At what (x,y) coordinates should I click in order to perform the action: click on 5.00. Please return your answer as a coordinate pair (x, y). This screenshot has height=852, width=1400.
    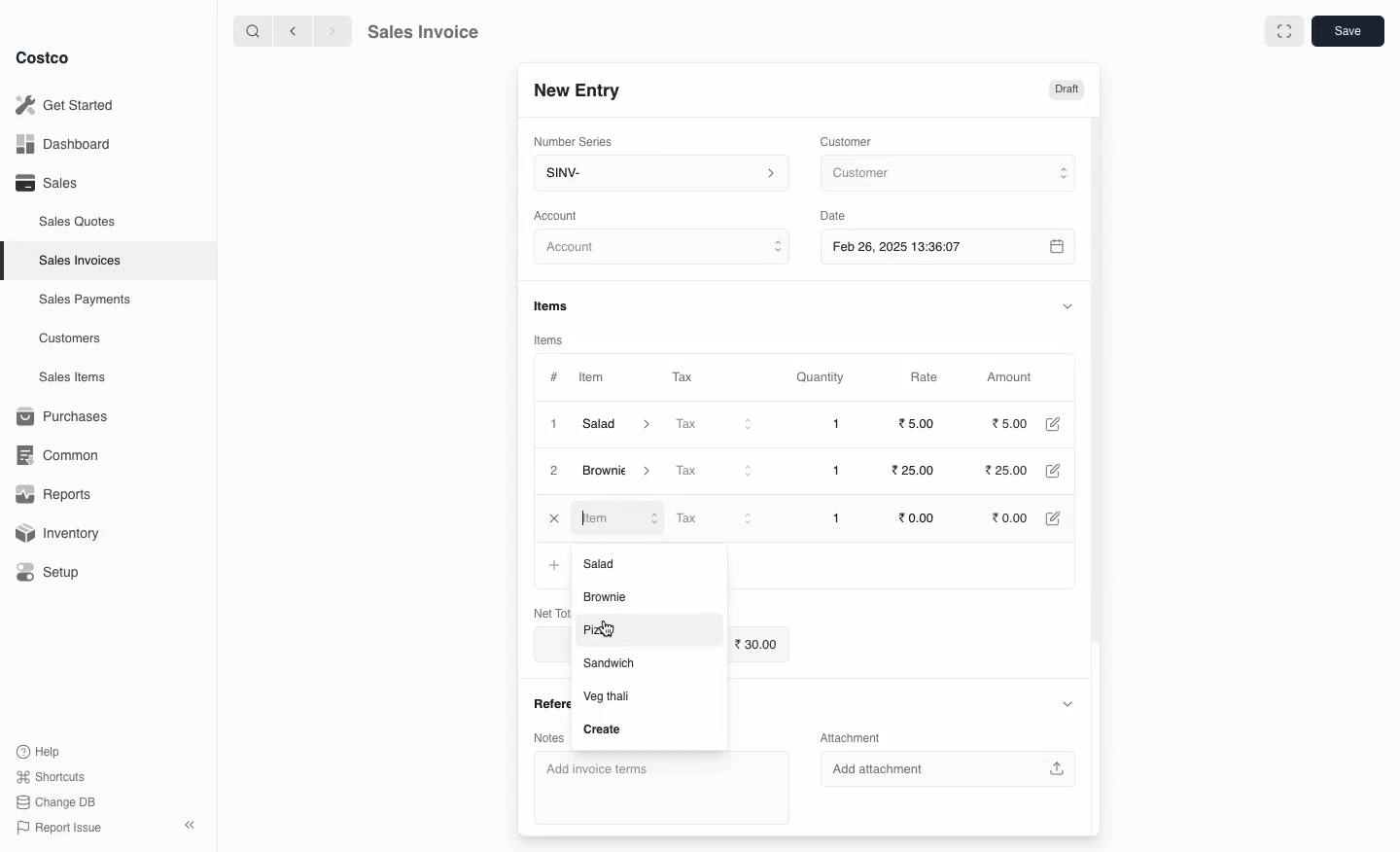
    Looking at the image, I should click on (1010, 423).